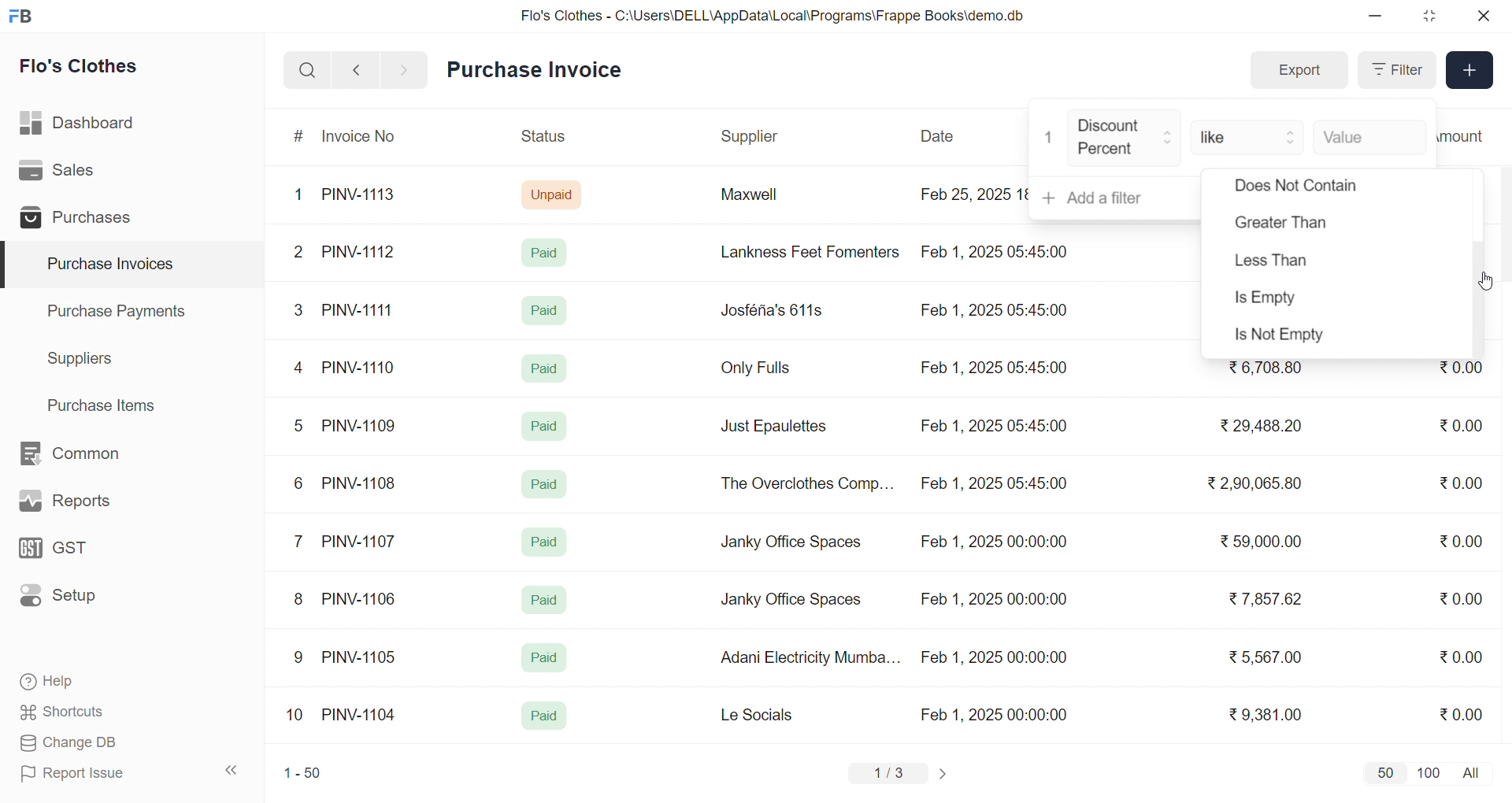 This screenshot has height=803, width=1512. Describe the element at coordinates (83, 358) in the screenshot. I see `Suppliers` at that location.